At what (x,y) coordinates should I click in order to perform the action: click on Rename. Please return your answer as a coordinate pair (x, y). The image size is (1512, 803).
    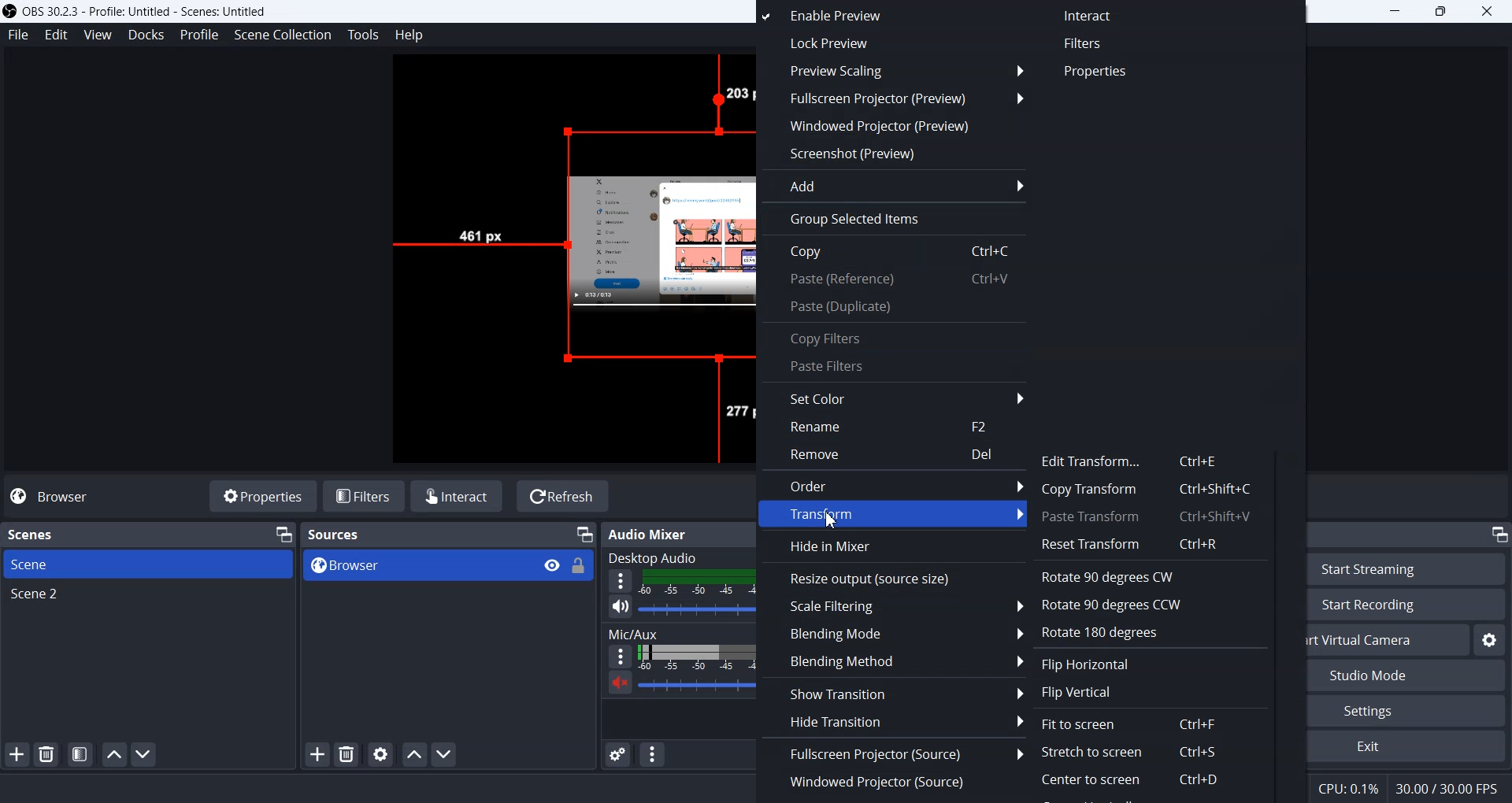
    Looking at the image, I should click on (895, 426).